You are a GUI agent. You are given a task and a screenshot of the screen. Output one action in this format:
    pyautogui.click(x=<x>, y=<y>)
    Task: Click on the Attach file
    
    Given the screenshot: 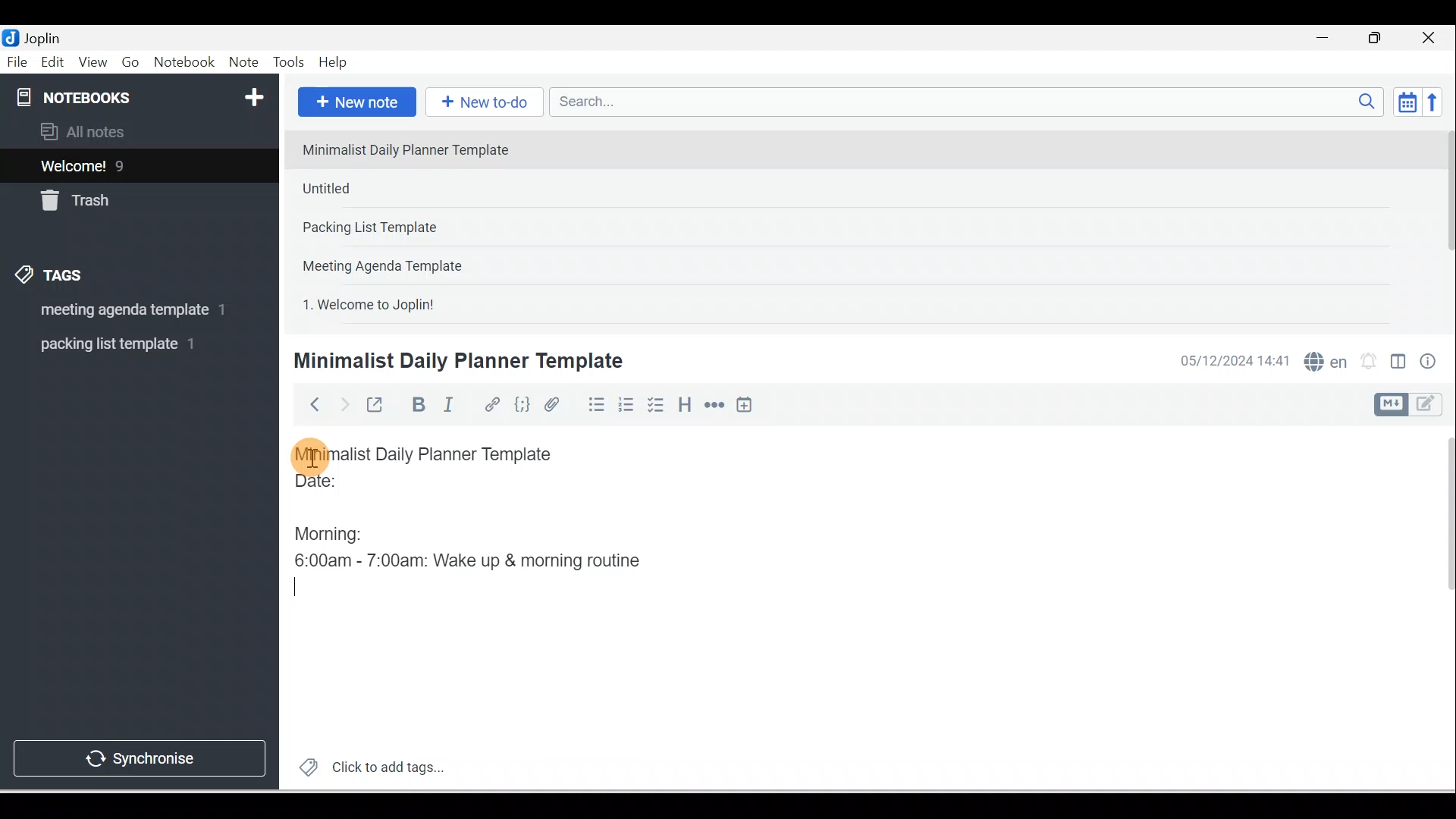 What is the action you would take?
    pyautogui.click(x=556, y=404)
    